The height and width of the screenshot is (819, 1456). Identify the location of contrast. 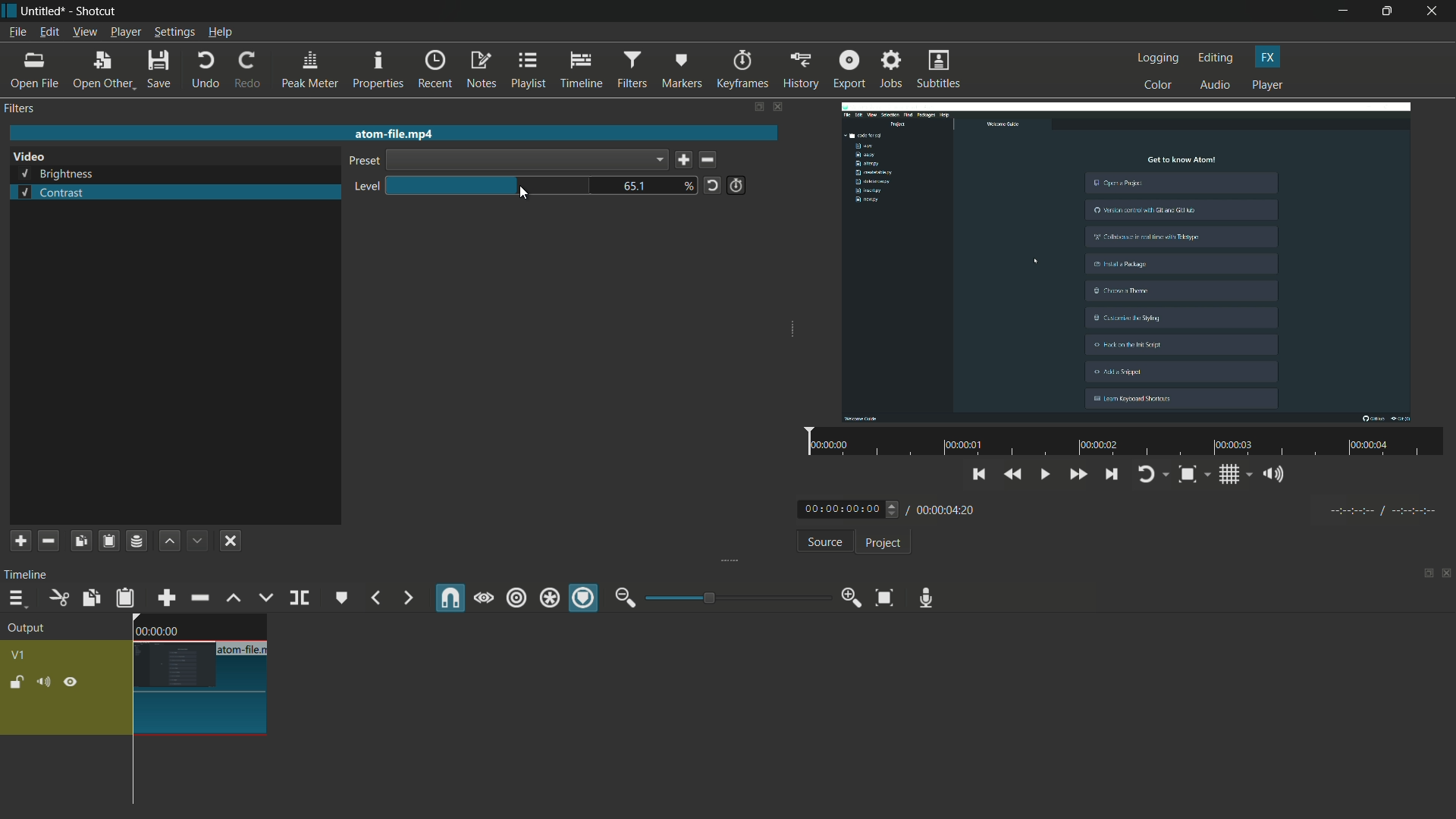
(51, 193).